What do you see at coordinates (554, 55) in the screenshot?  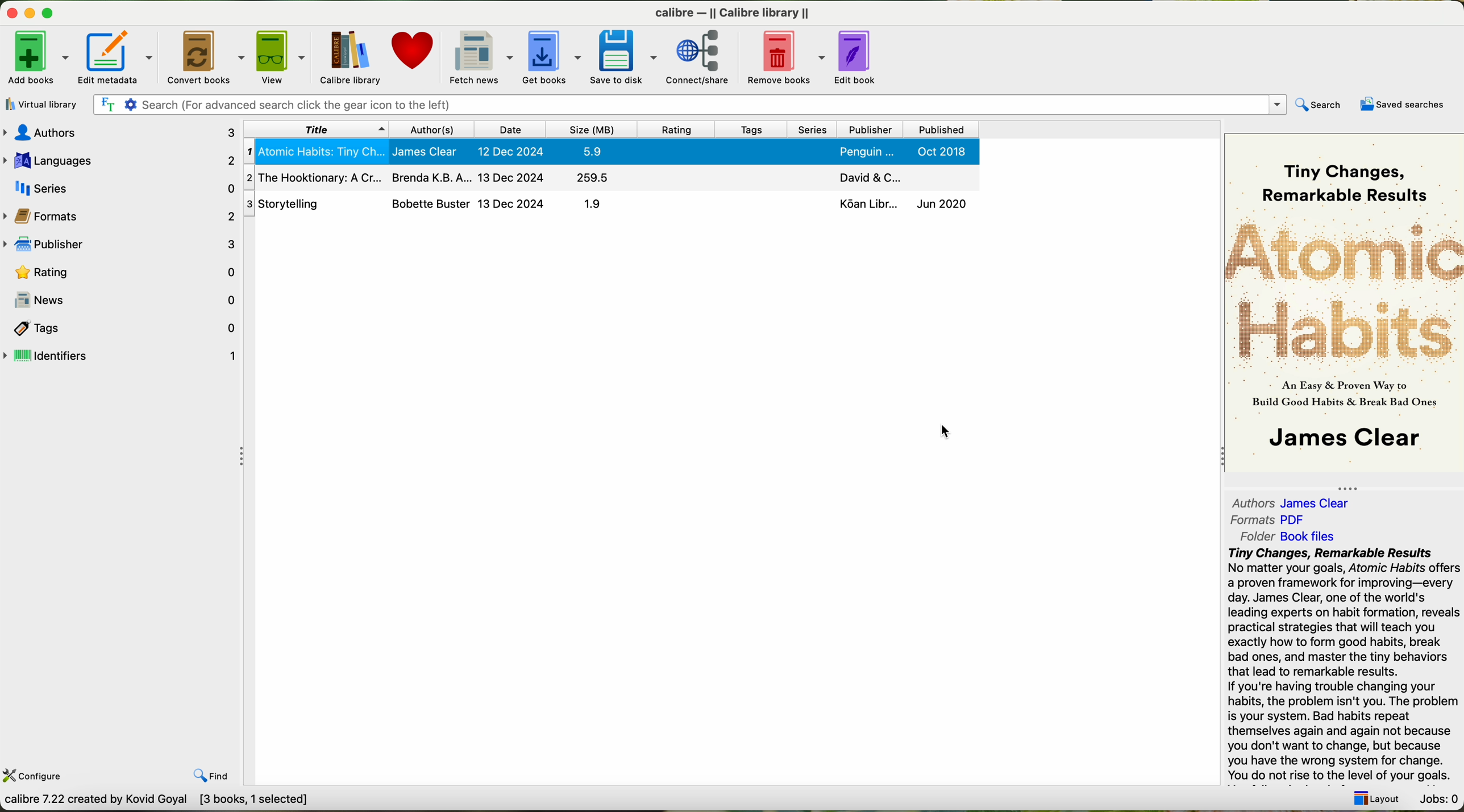 I see `get books` at bounding box center [554, 55].